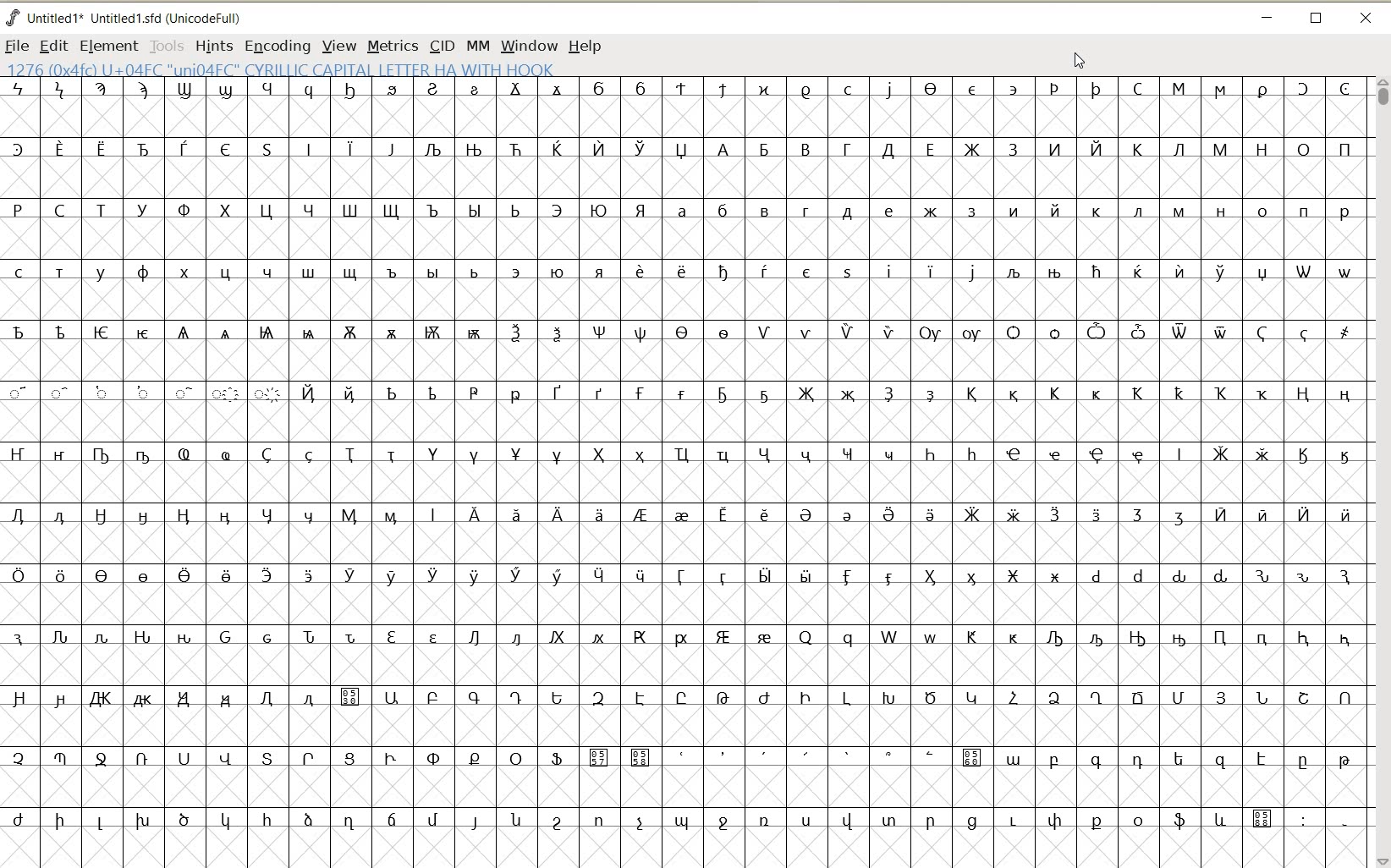 The width and height of the screenshot is (1391, 868). I want to click on EDIT, so click(53, 46).